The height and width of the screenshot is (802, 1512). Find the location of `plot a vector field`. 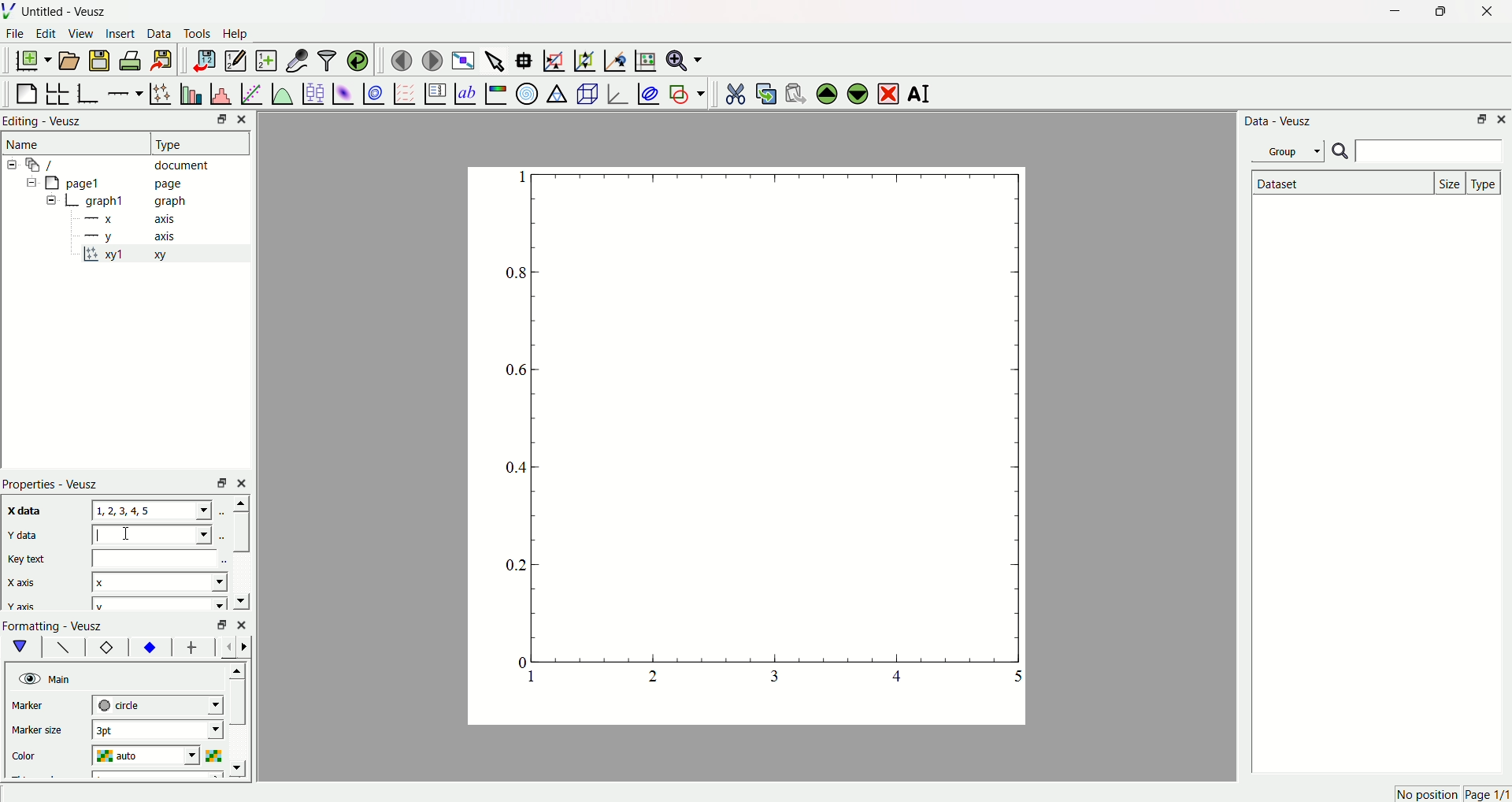

plot a vector field is located at coordinates (402, 93).